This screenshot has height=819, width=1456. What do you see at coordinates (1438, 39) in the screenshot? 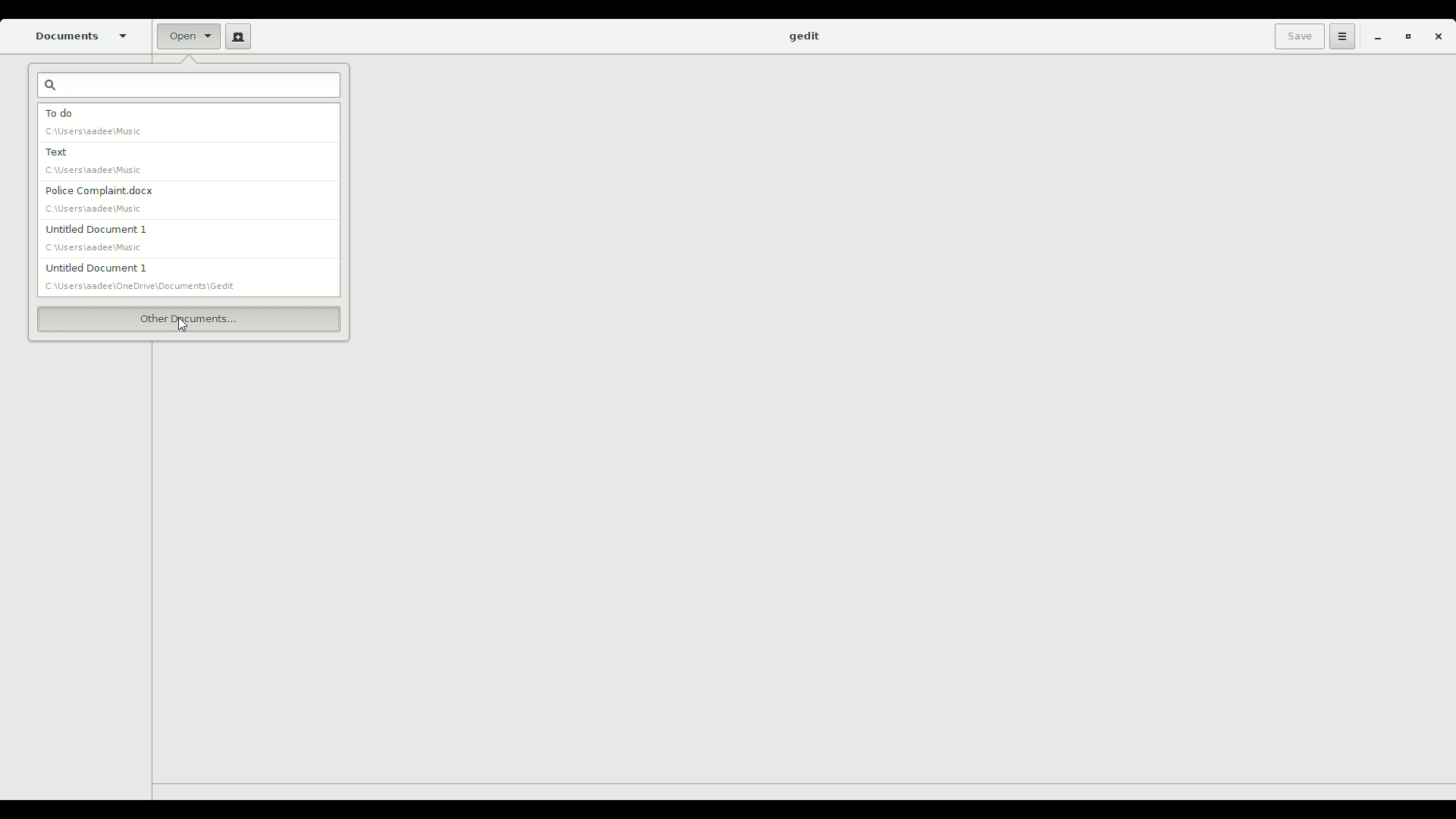
I see `Close` at bounding box center [1438, 39].